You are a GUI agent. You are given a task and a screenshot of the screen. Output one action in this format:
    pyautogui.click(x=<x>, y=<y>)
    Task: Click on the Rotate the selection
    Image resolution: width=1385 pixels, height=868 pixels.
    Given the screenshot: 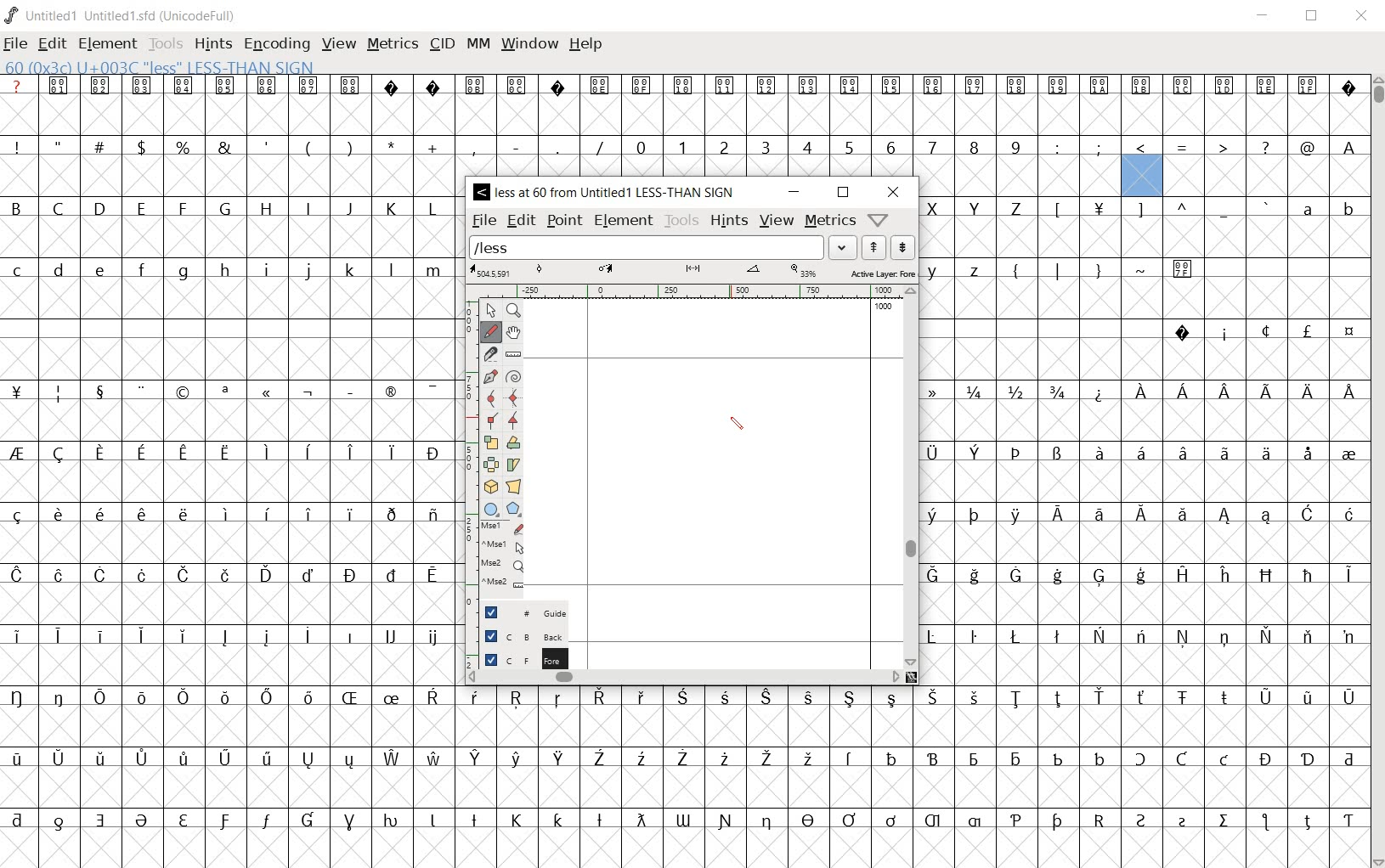 What is the action you would take?
    pyautogui.click(x=514, y=442)
    